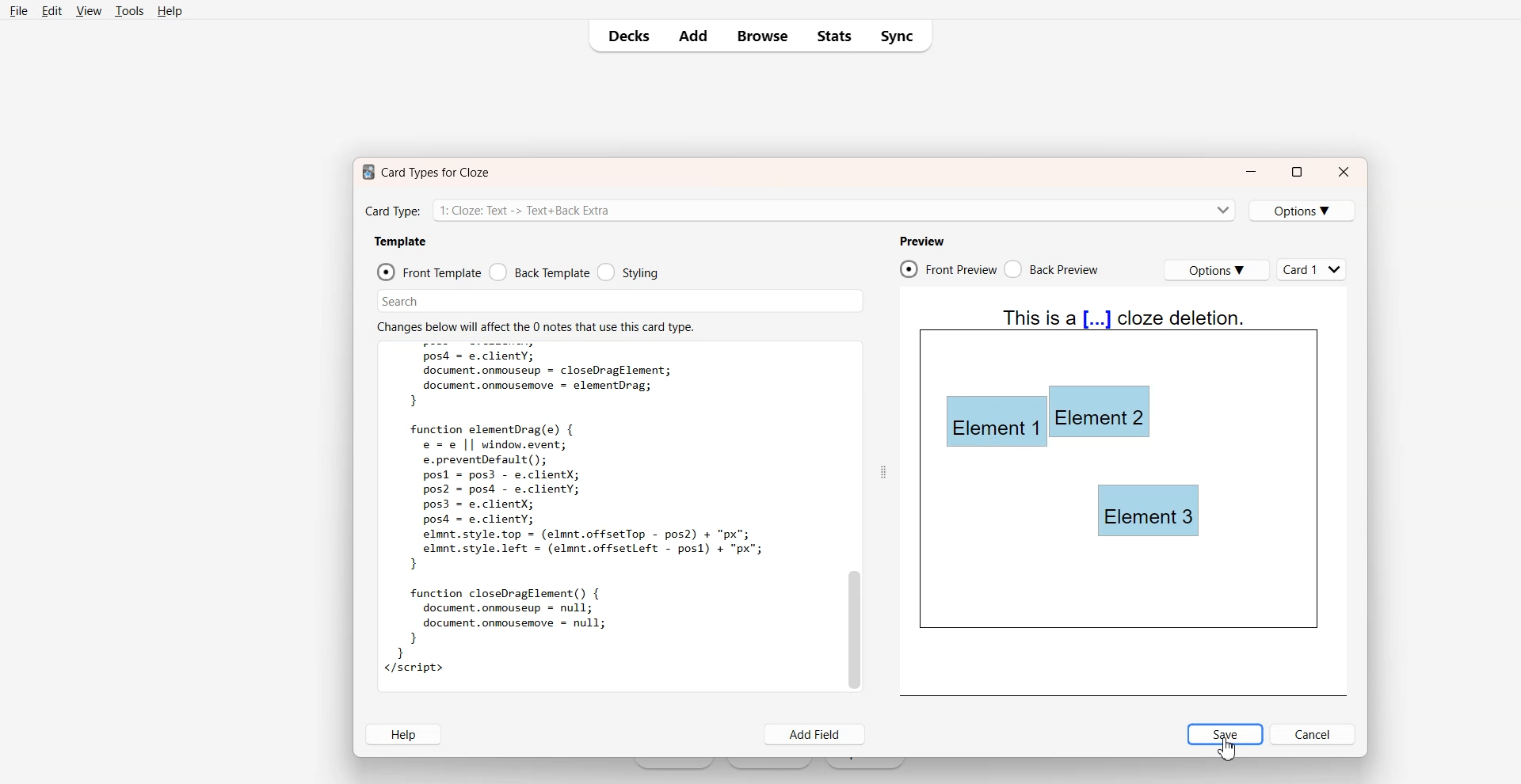 The height and width of the screenshot is (784, 1521). I want to click on Text 2, so click(535, 325).